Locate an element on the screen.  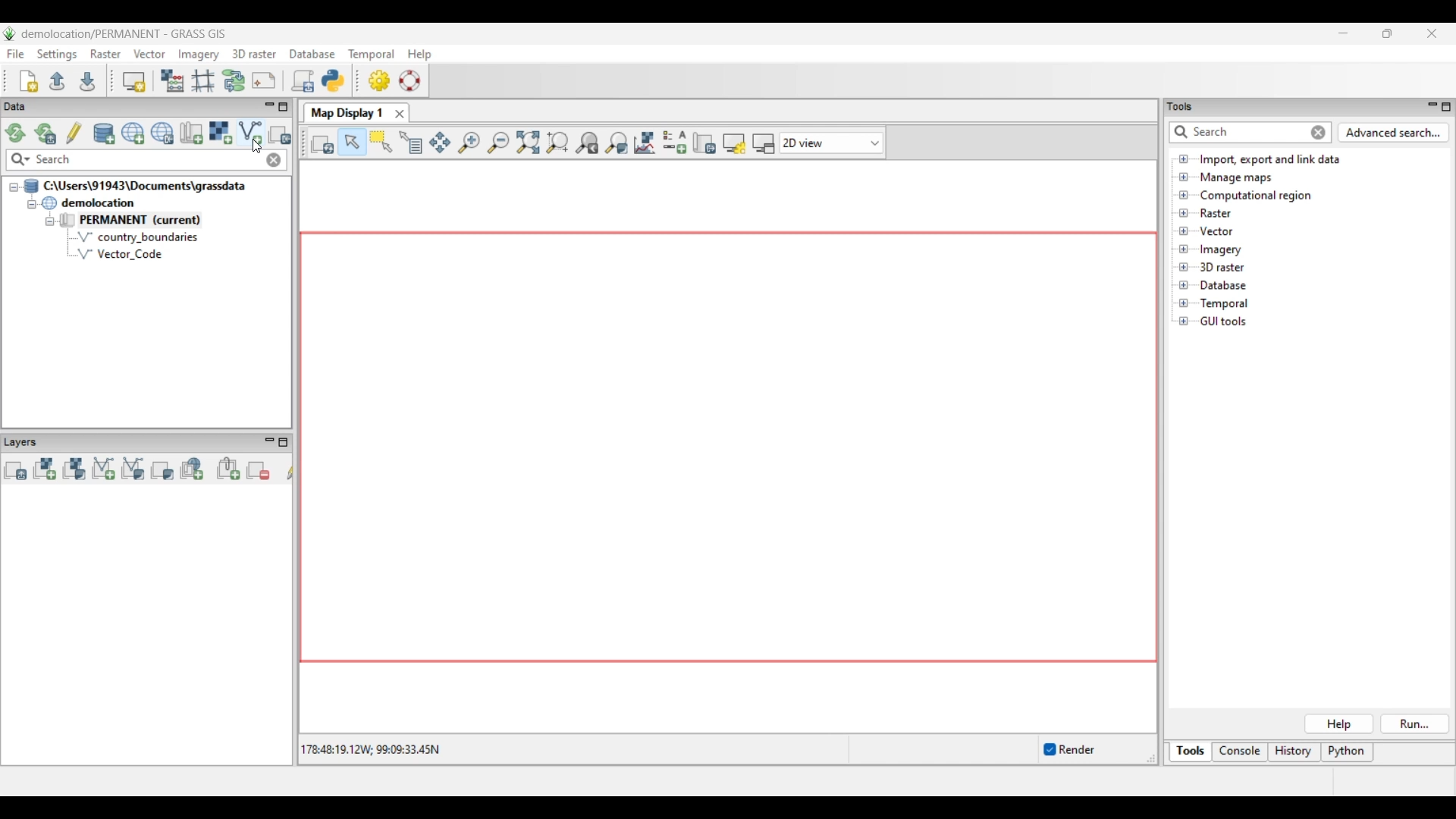
Console is located at coordinates (1240, 753).